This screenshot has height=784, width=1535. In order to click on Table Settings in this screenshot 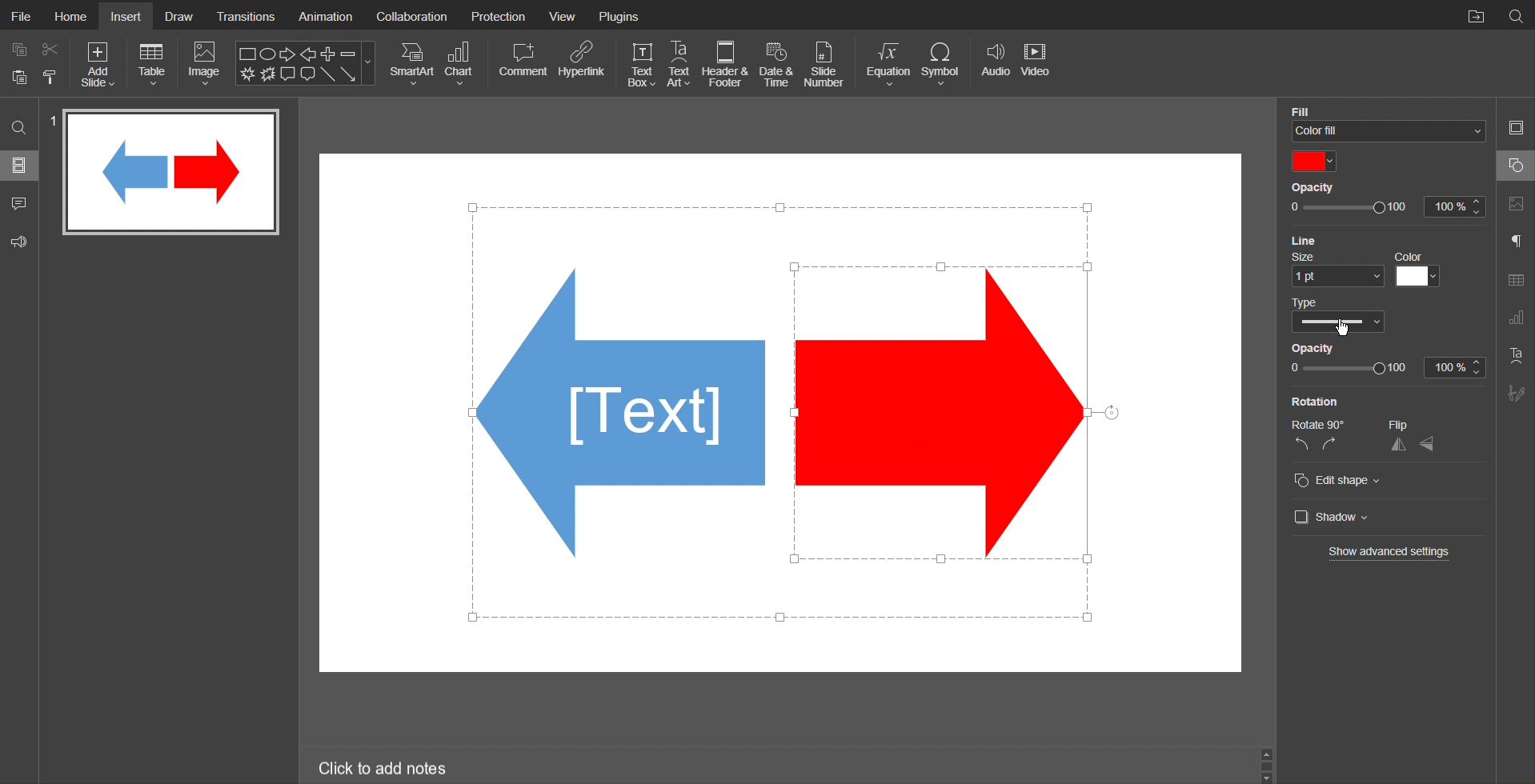, I will do `click(1516, 279)`.